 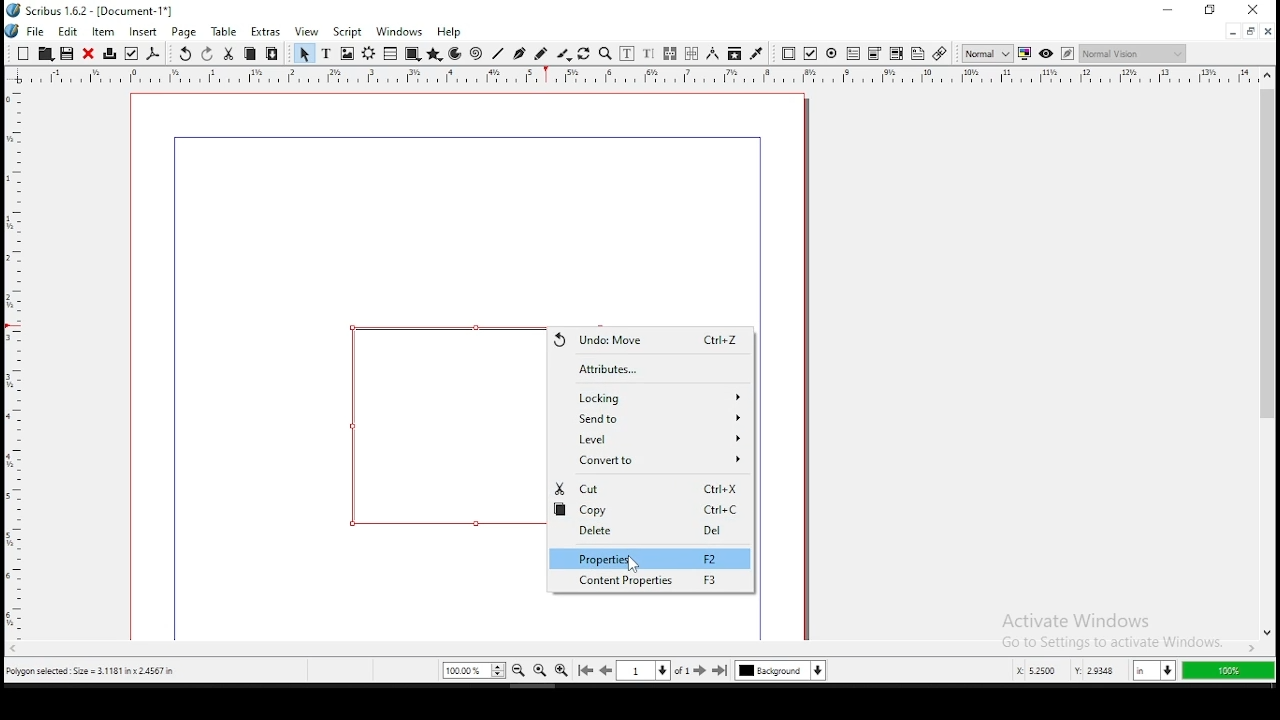 What do you see at coordinates (1024, 54) in the screenshot?
I see `toggle color management system` at bounding box center [1024, 54].